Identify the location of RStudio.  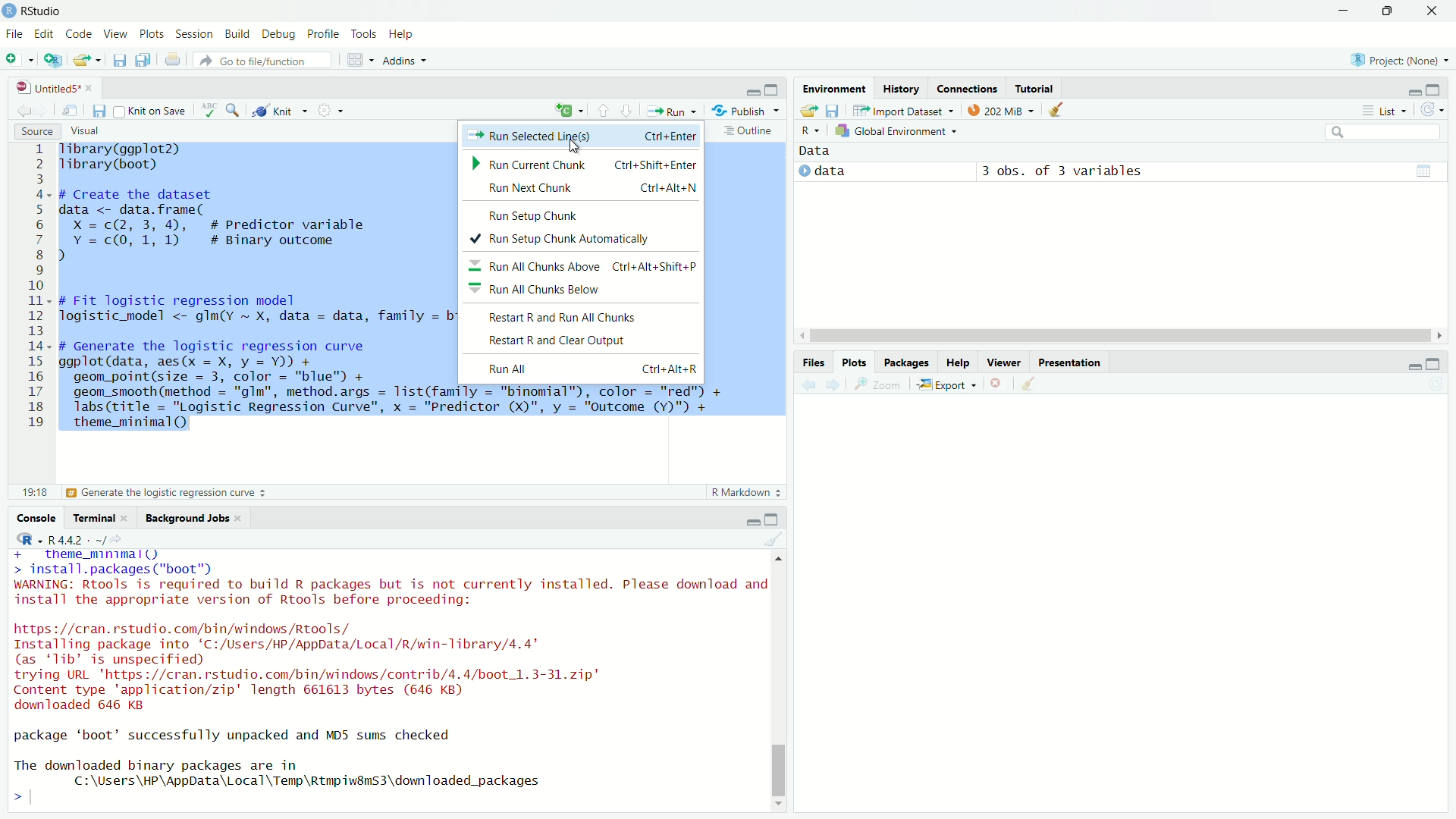
(32, 11).